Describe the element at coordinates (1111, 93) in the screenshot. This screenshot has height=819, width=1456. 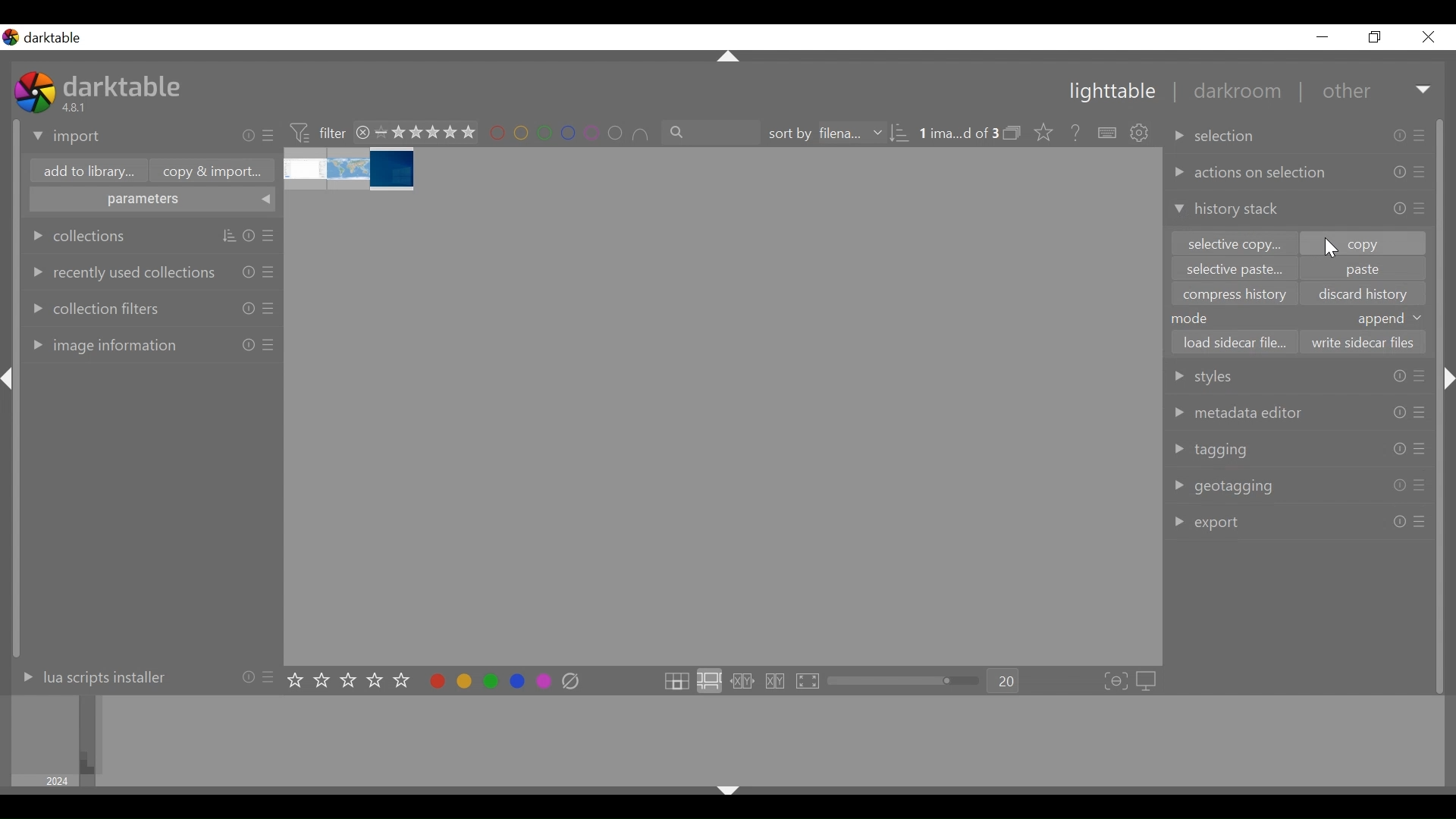
I see `lighttable` at that location.